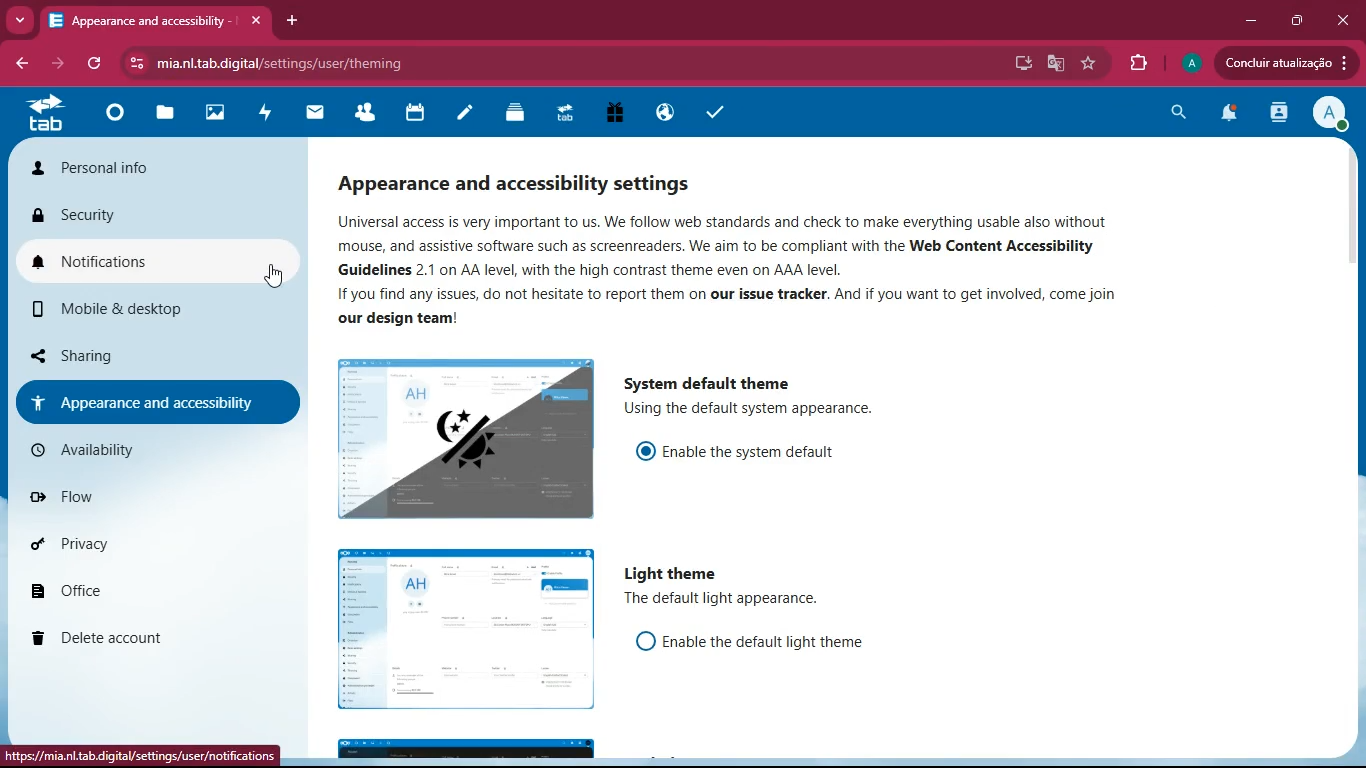 The image size is (1366, 768). What do you see at coordinates (141, 449) in the screenshot?
I see `availability` at bounding box center [141, 449].